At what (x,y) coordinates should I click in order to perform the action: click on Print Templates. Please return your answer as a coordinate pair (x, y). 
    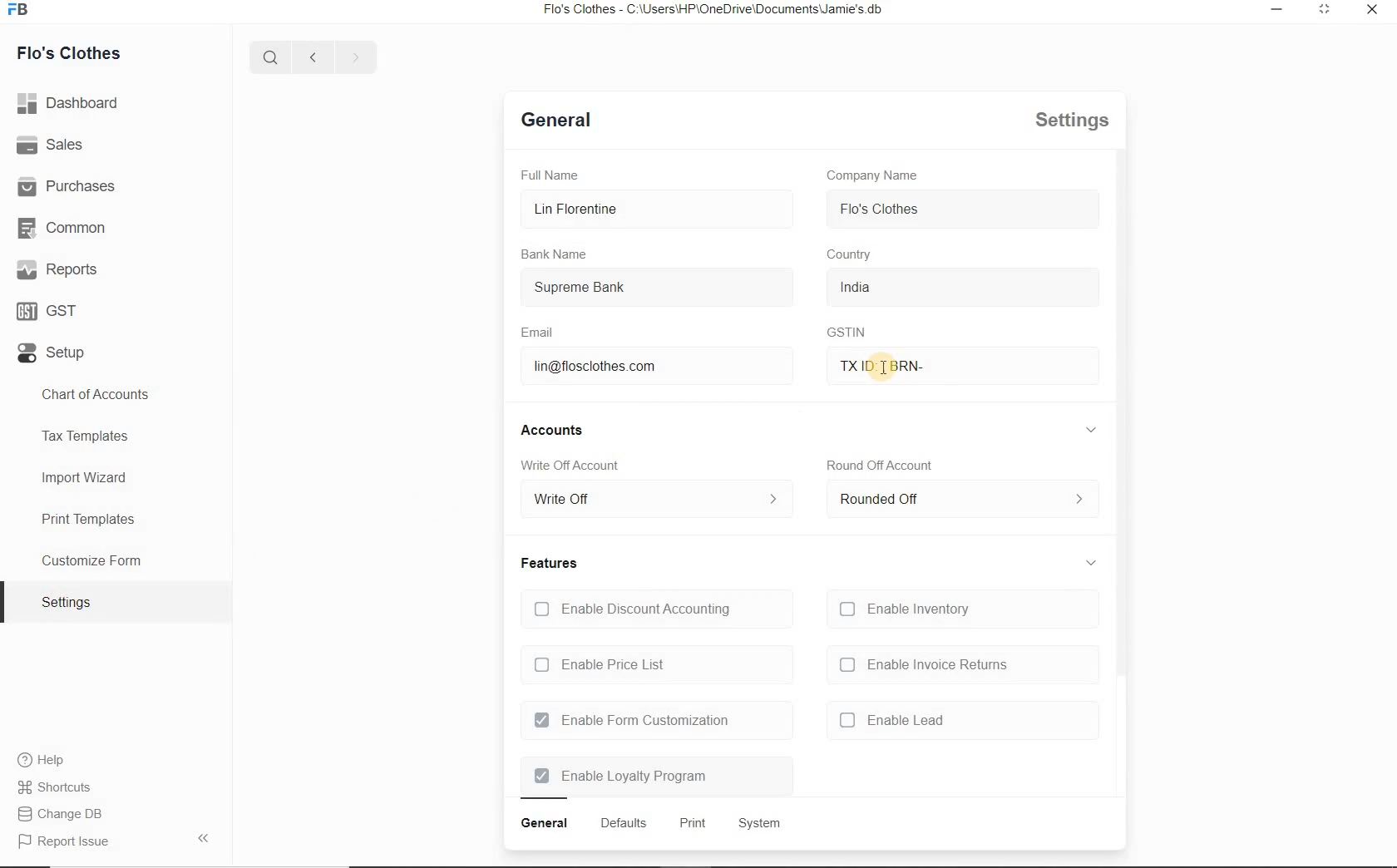
    Looking at the image, I should click on (86, 518).